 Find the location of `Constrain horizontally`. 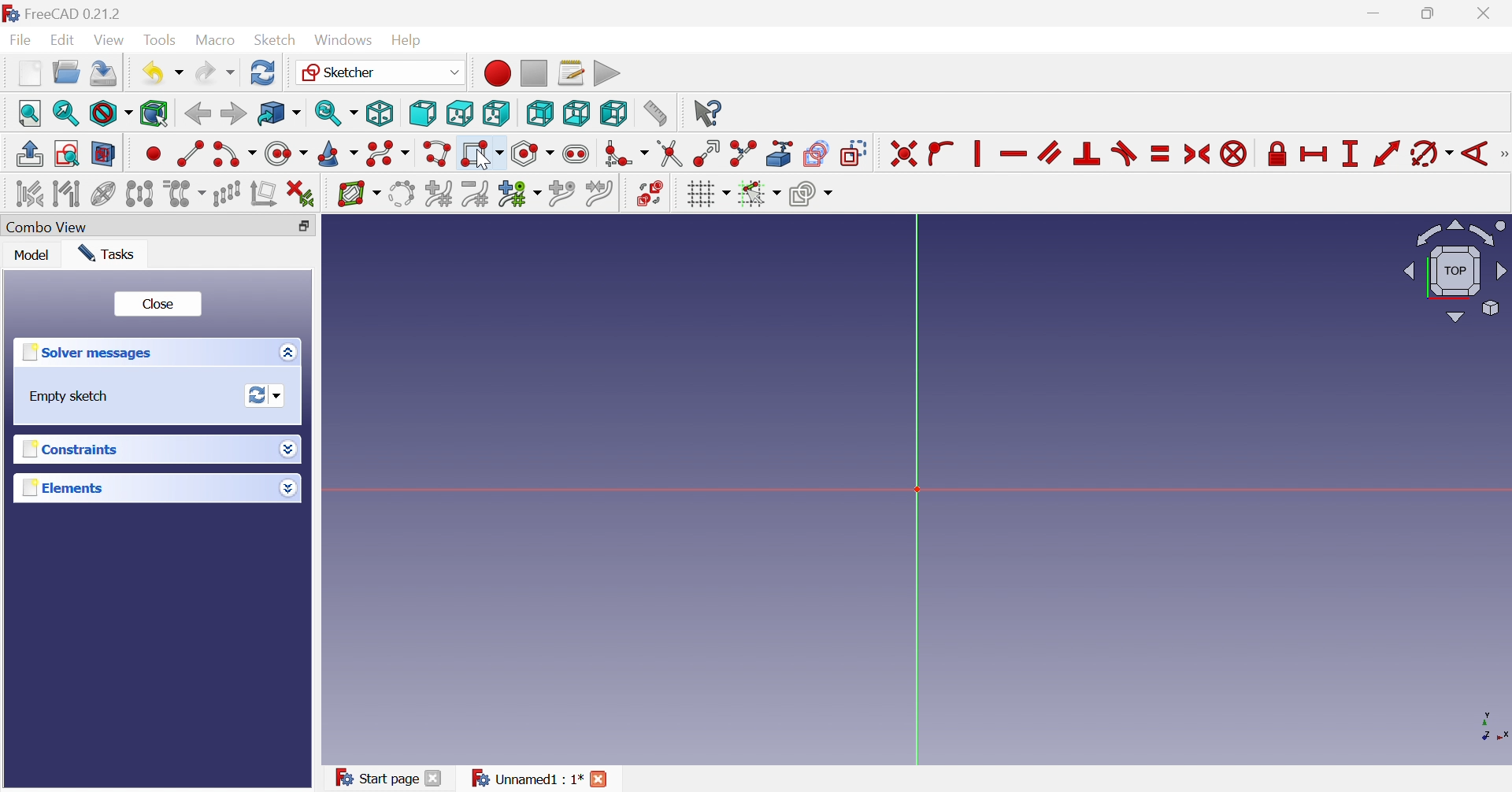

Constrain horizontally is located at coordinates (1013, 154).